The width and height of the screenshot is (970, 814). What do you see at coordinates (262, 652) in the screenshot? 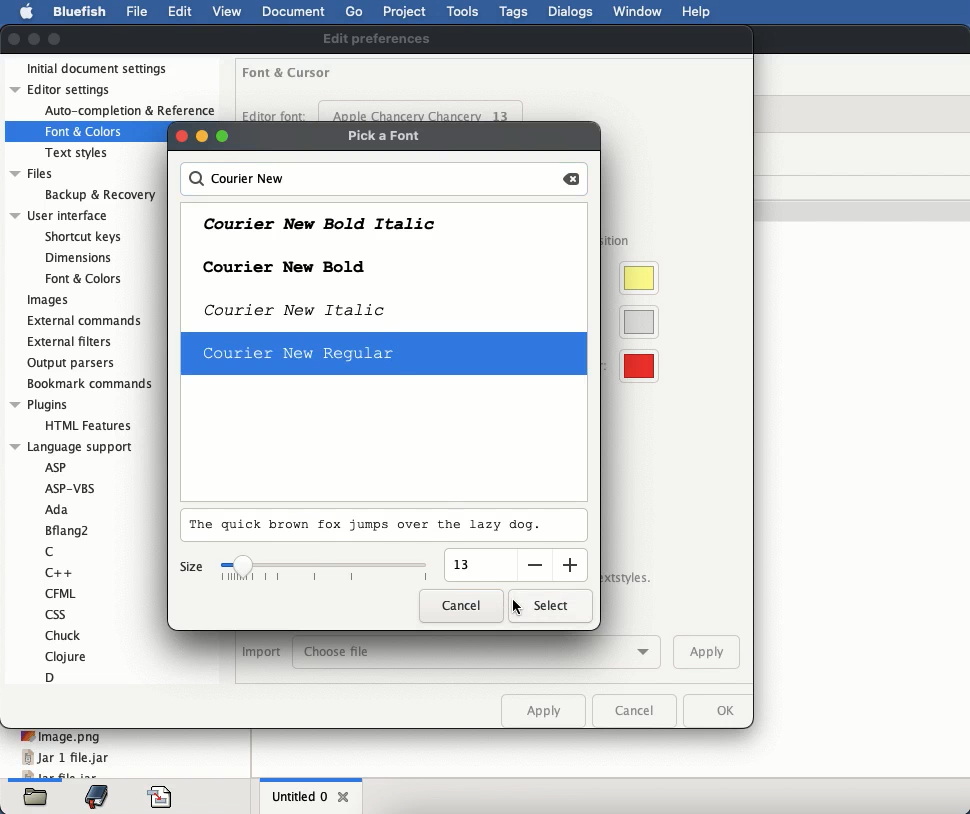
I see `import` at bounding box center [262, 652].